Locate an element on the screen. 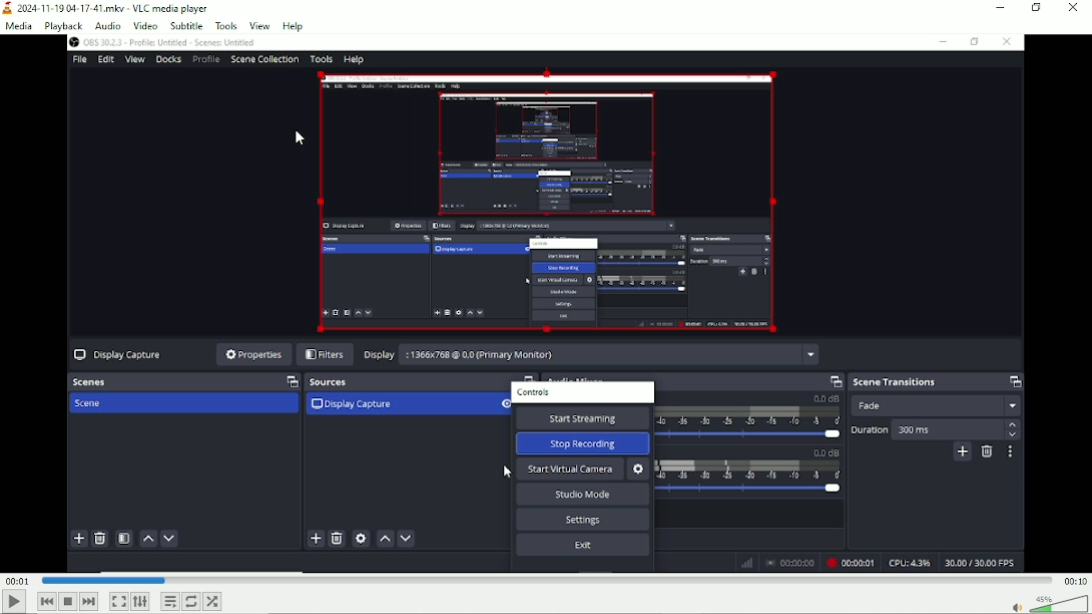  Stop playlist is located at coordinates (68, 601).